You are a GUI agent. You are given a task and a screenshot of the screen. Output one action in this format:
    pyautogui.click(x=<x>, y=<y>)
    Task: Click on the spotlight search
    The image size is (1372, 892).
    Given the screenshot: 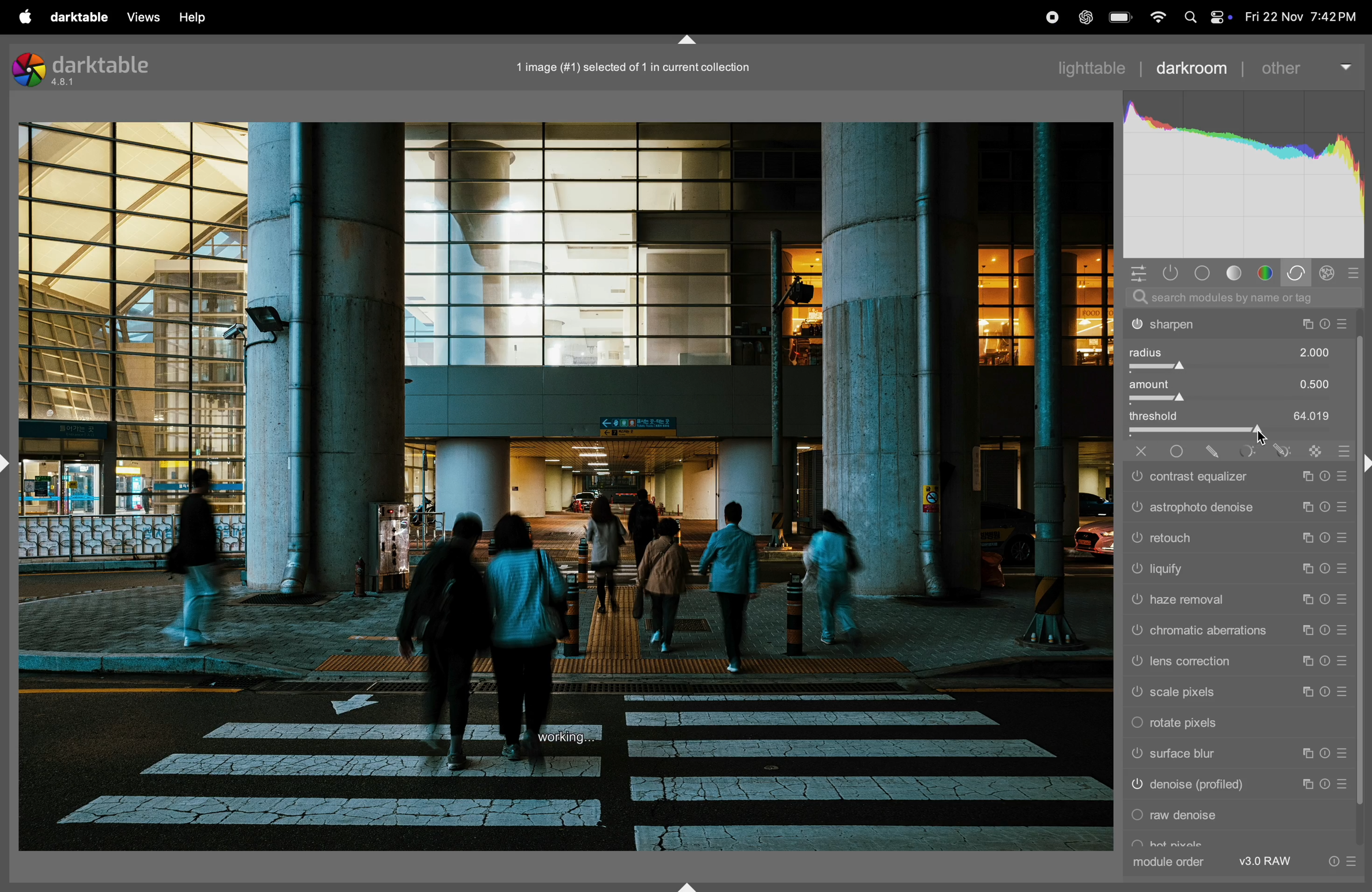 What is the action you would take?
    pyautogui.click(x=1190, y=18)
    